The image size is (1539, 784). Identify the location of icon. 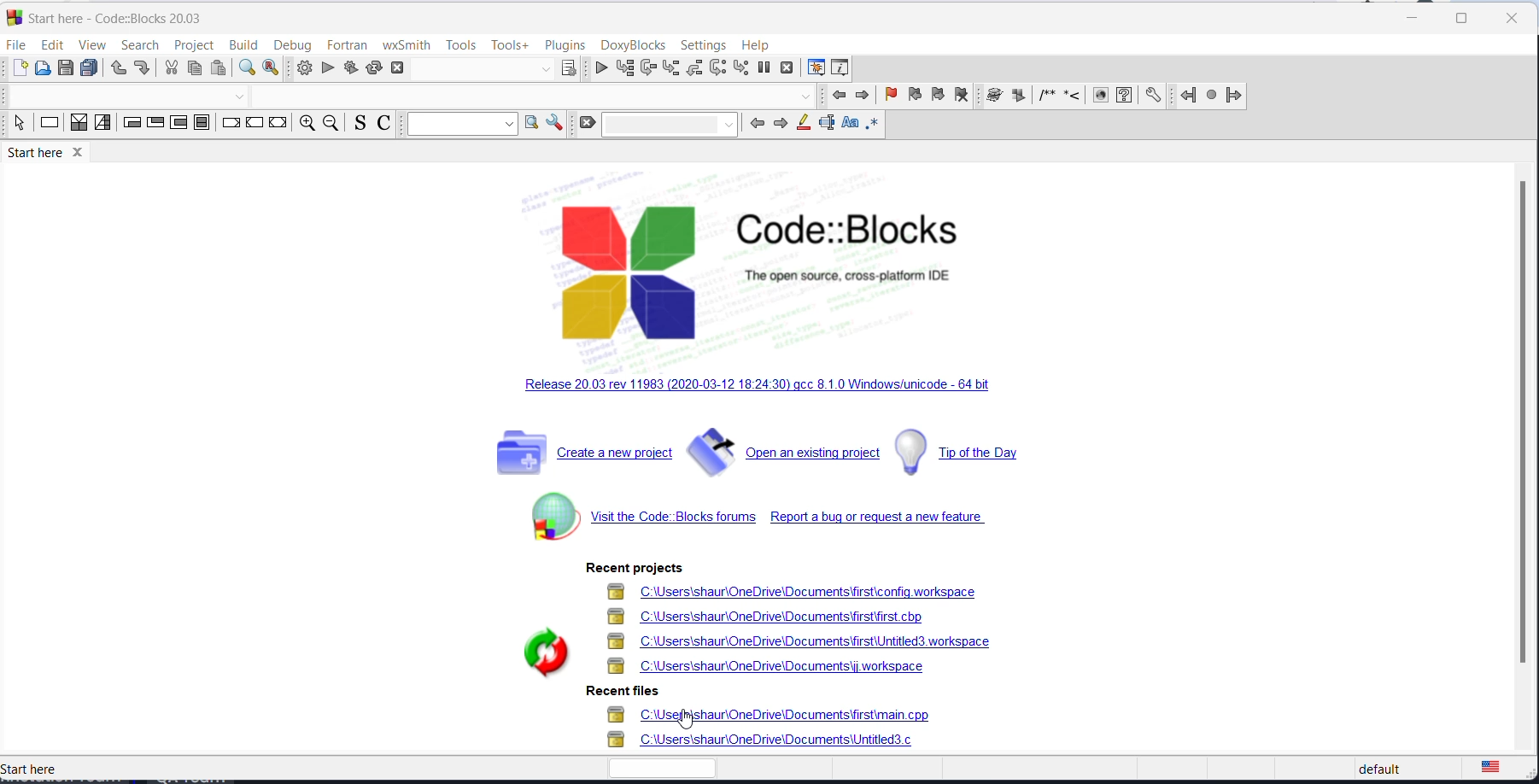
(1070, 98).